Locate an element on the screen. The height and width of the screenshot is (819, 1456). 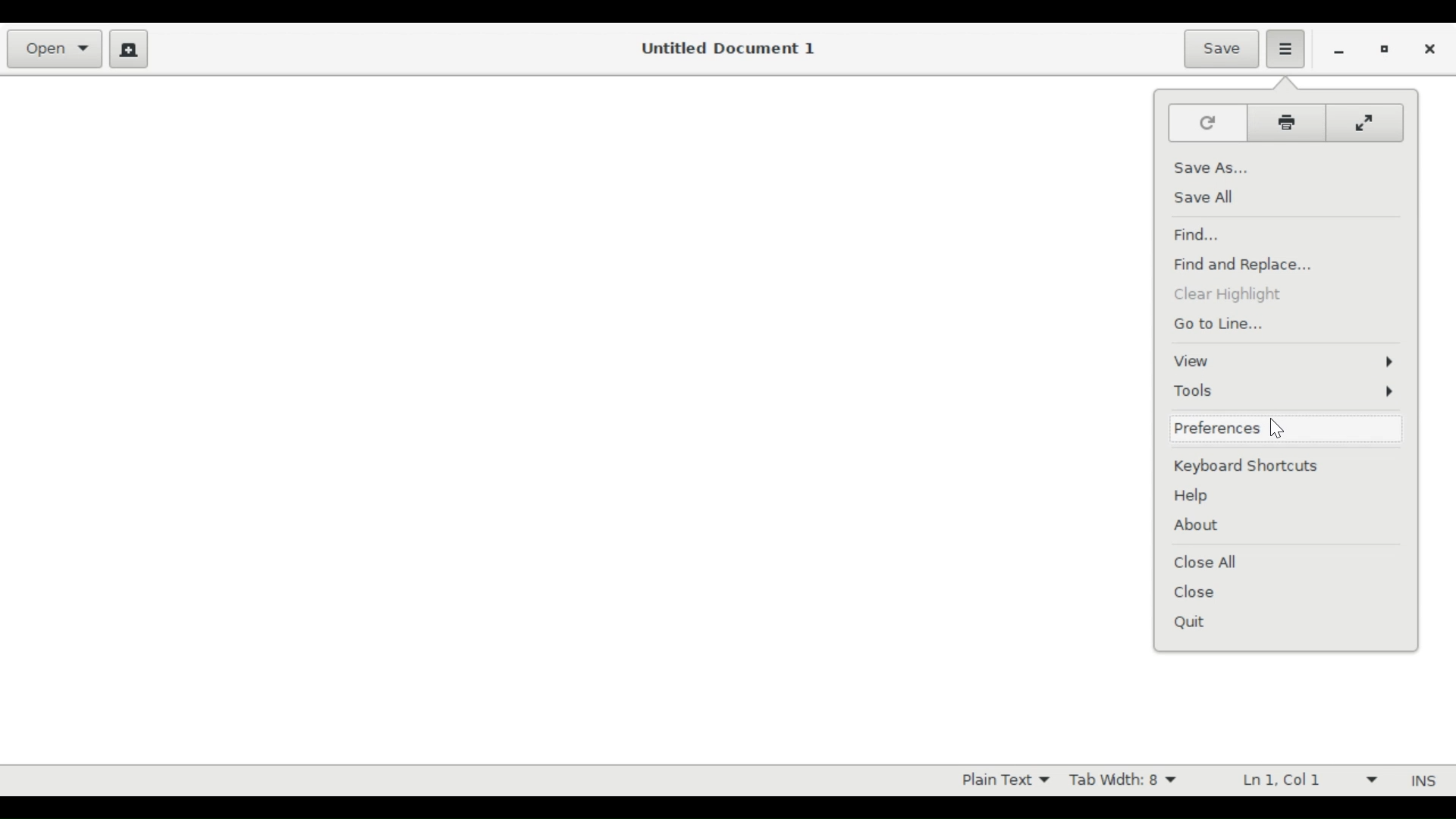
Open is located at coordinates (52, 48).